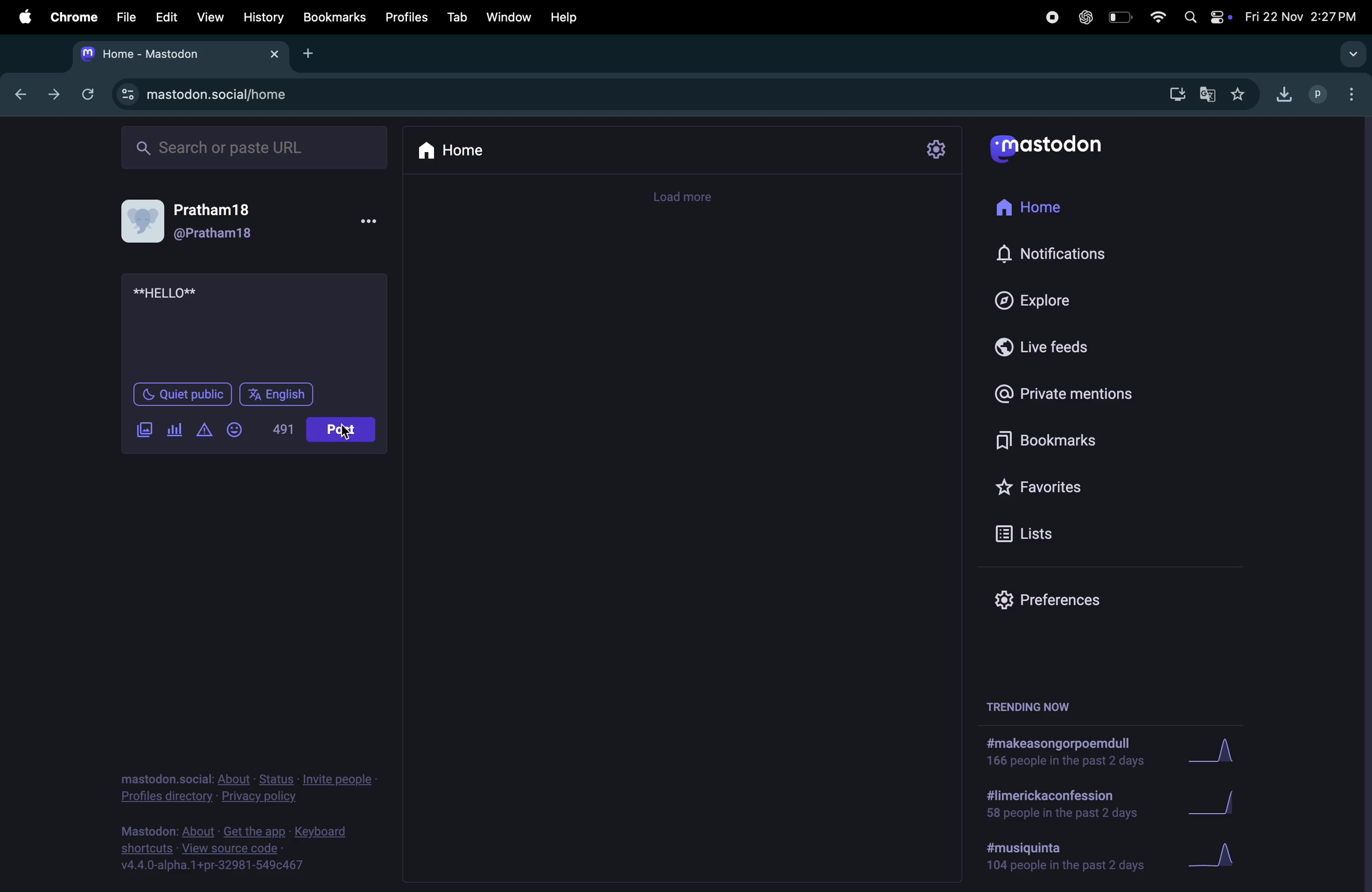  I want to click on pool, so click(177, 429).